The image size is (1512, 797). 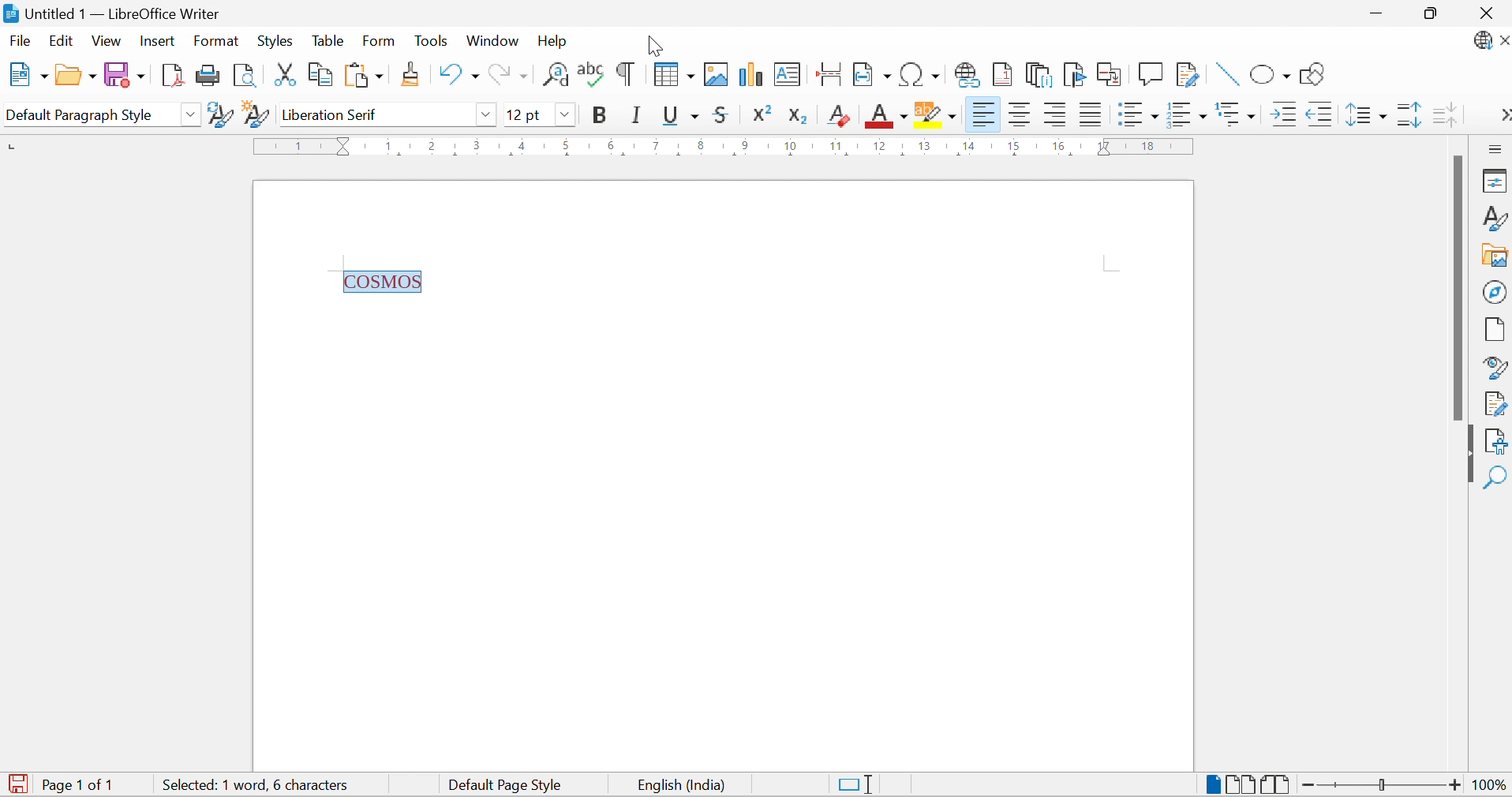 What do you see at coordinates (83, 785) in the screenshot?
I see `Page 1 of 1` at bounding box center [83, 785].